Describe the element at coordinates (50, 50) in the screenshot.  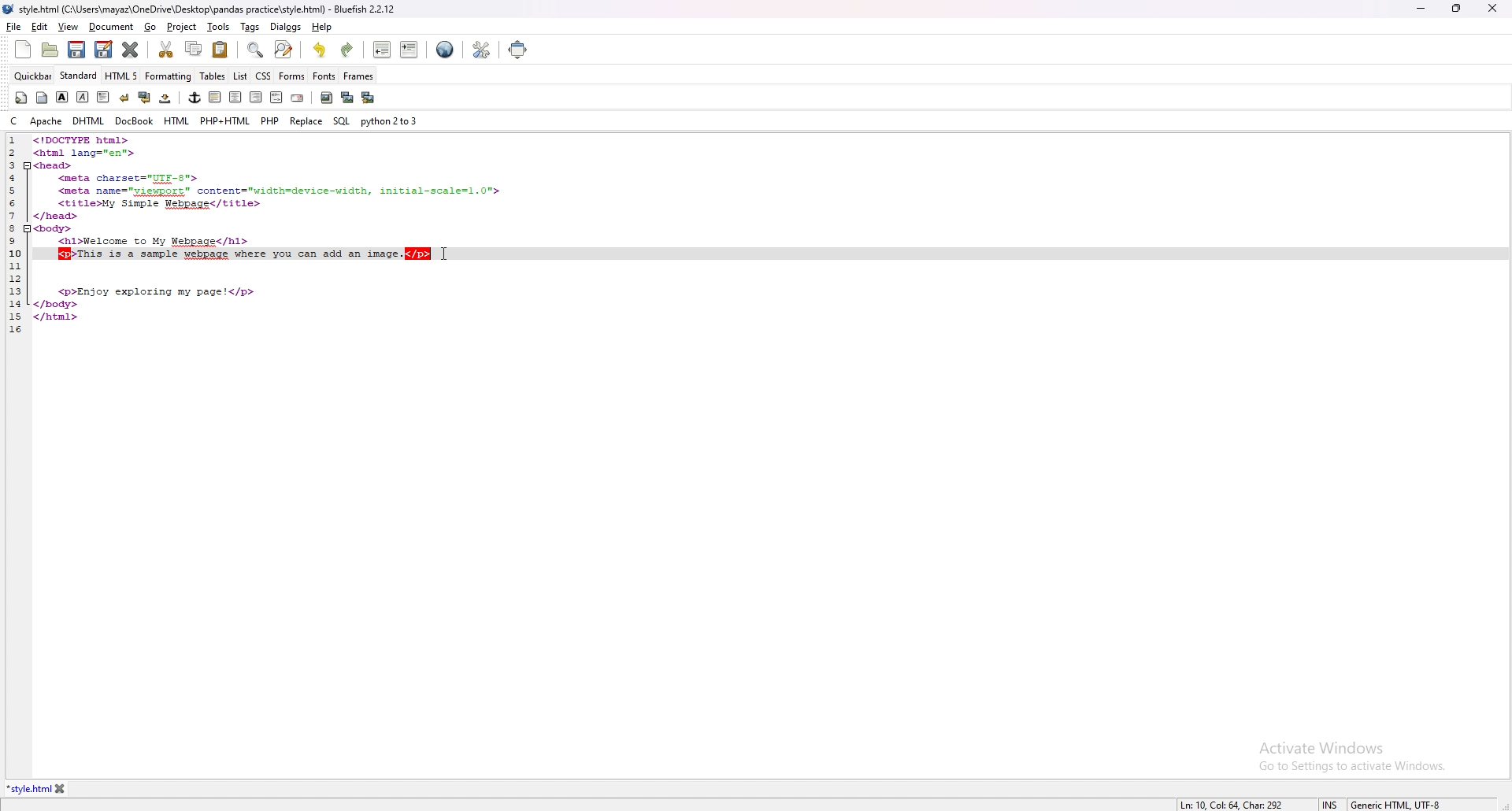
I see `open` at that location.